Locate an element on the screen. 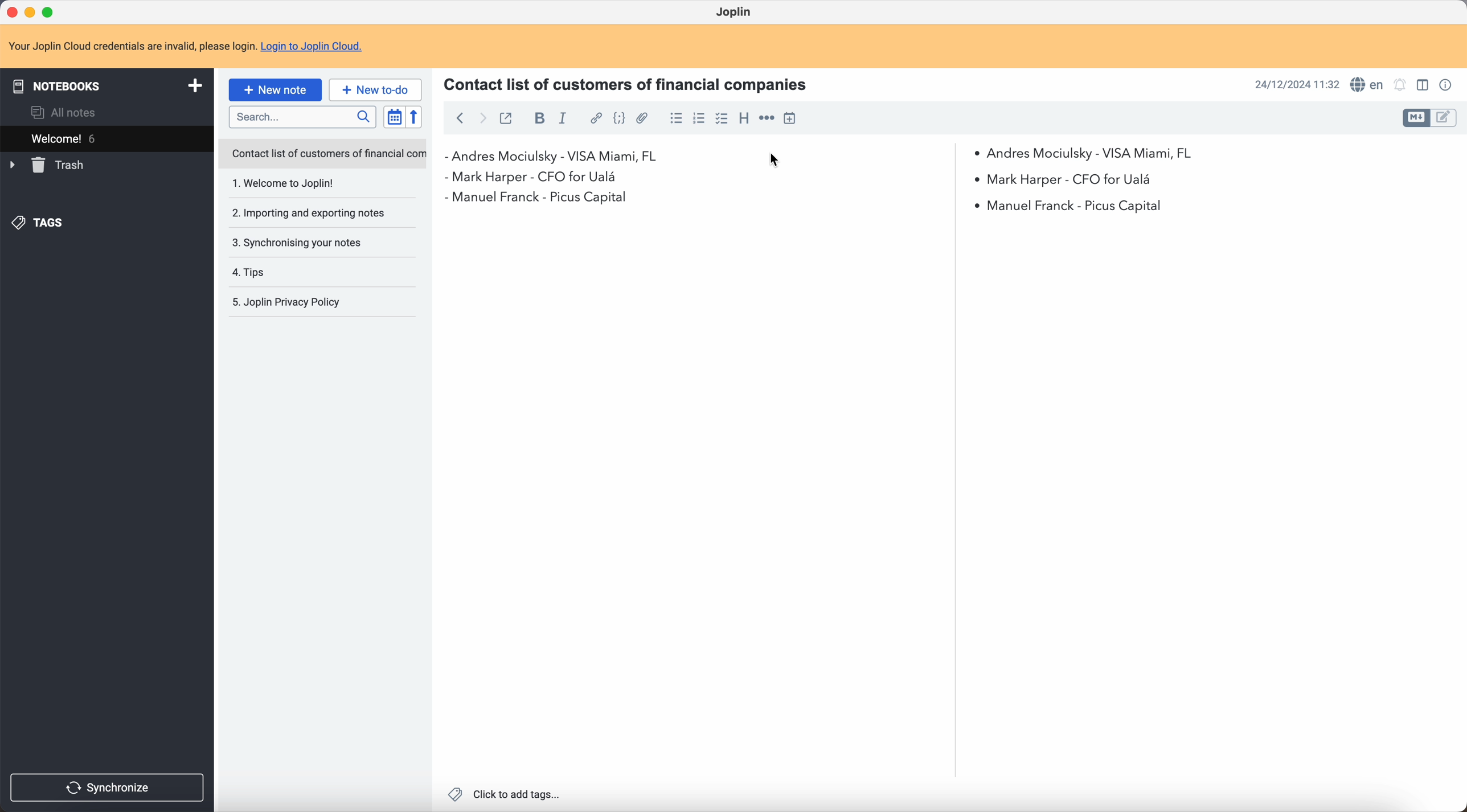 This screenshot has height=812, width=1467. scroll bar is located at coordinates (1458, 255).